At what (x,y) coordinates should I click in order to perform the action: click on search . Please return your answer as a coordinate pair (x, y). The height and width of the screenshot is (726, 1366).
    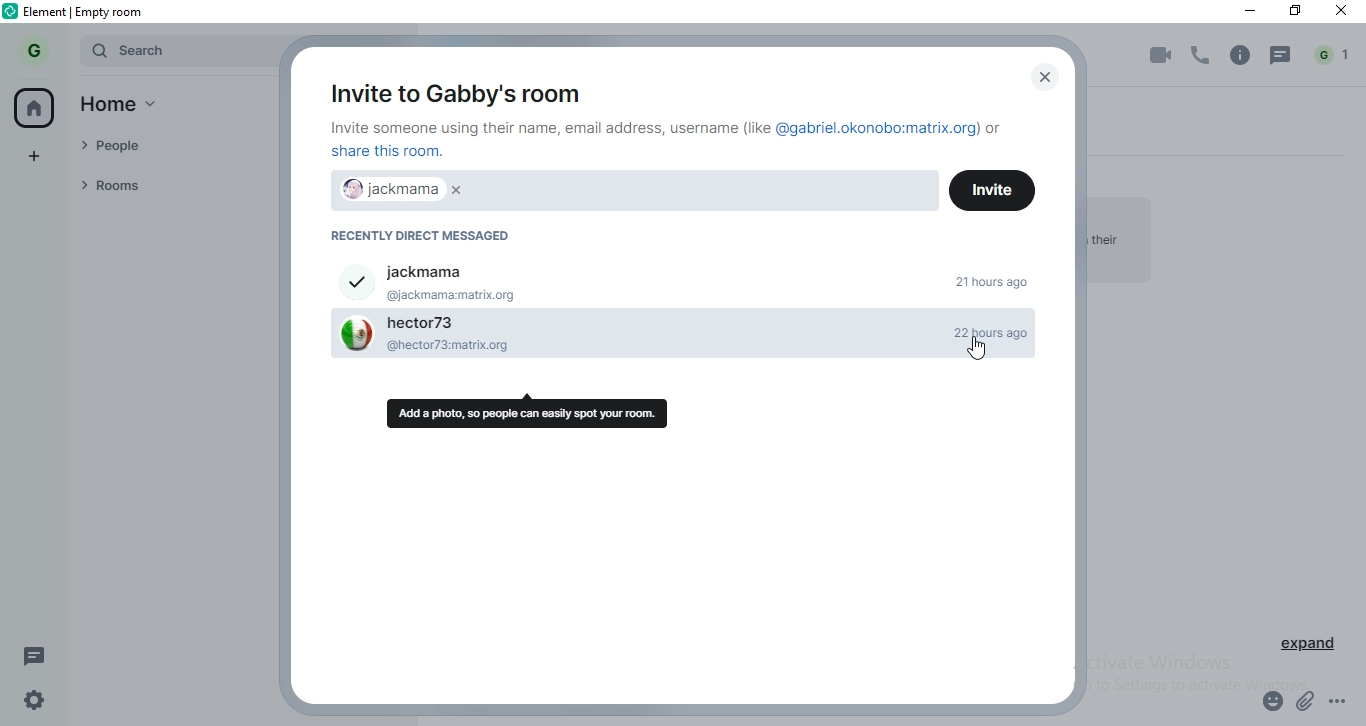
    Looking at the image, I should click on (174, 51).